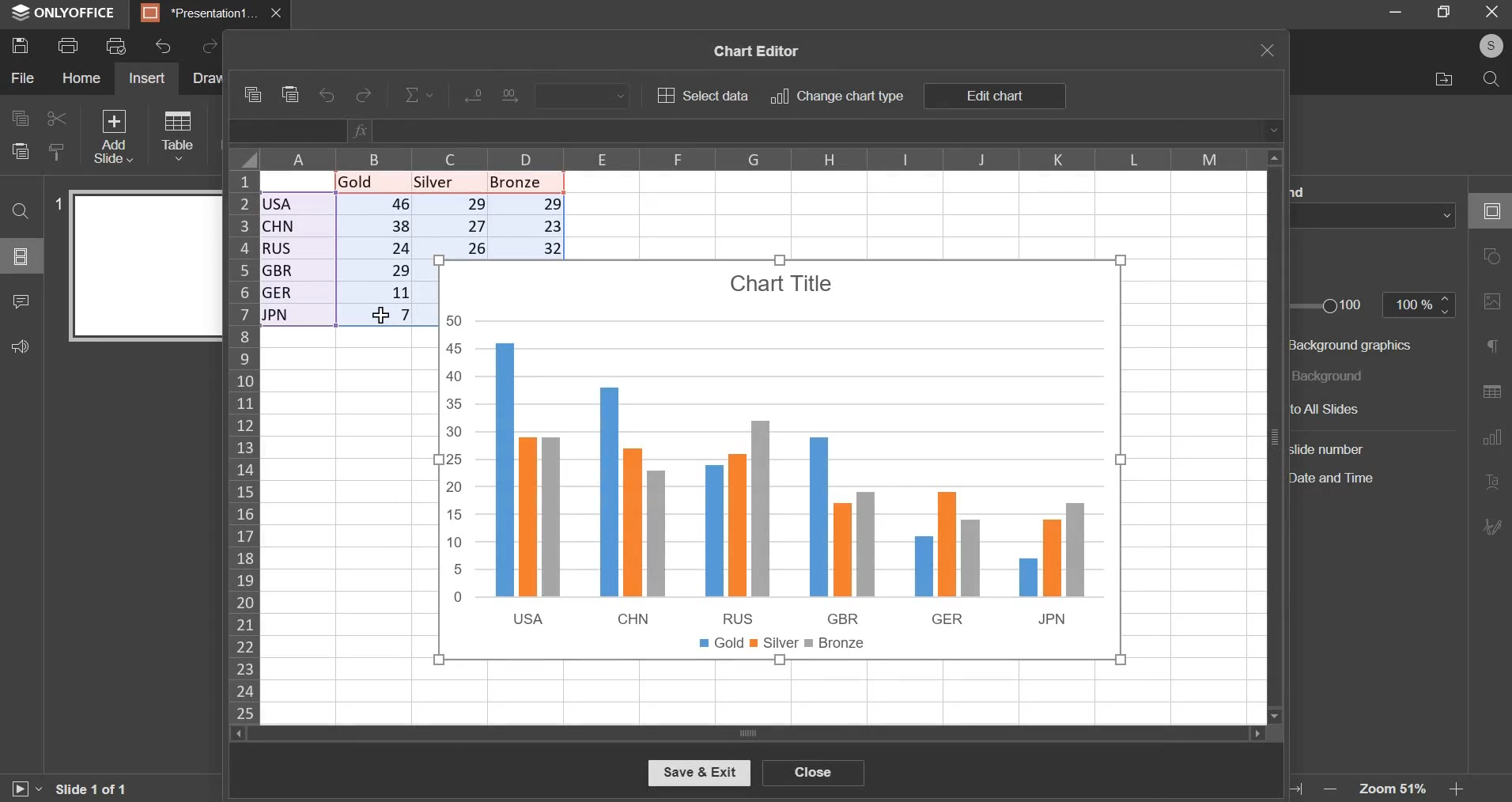 This screenshot has width=1512, height=802. I want to click on paste, so click(292, 95).